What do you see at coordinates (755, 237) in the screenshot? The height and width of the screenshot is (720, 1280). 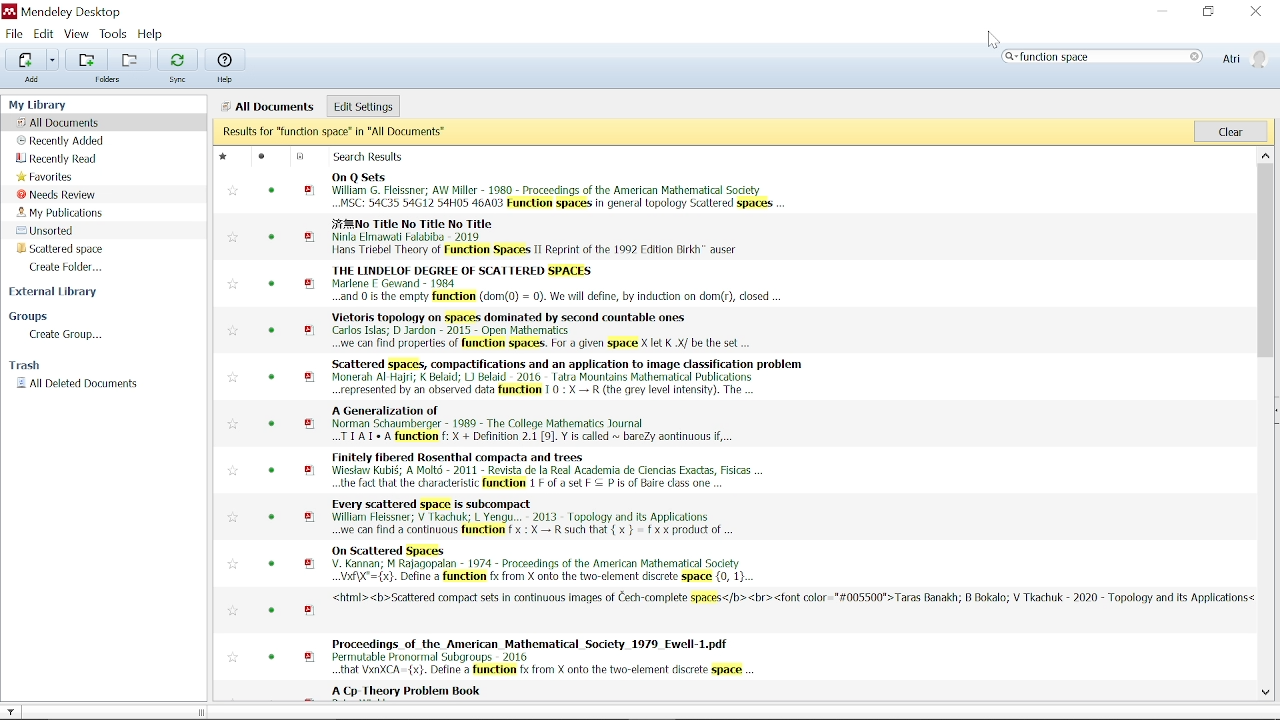 I see `No Title No Title No Title Ninla Elmawali Falabiba - 2019Hans Triebel Theory of Function Spaces IT Reprint of the 1002 Fdition Birkh™ auser` at bounding box center [755, 237].